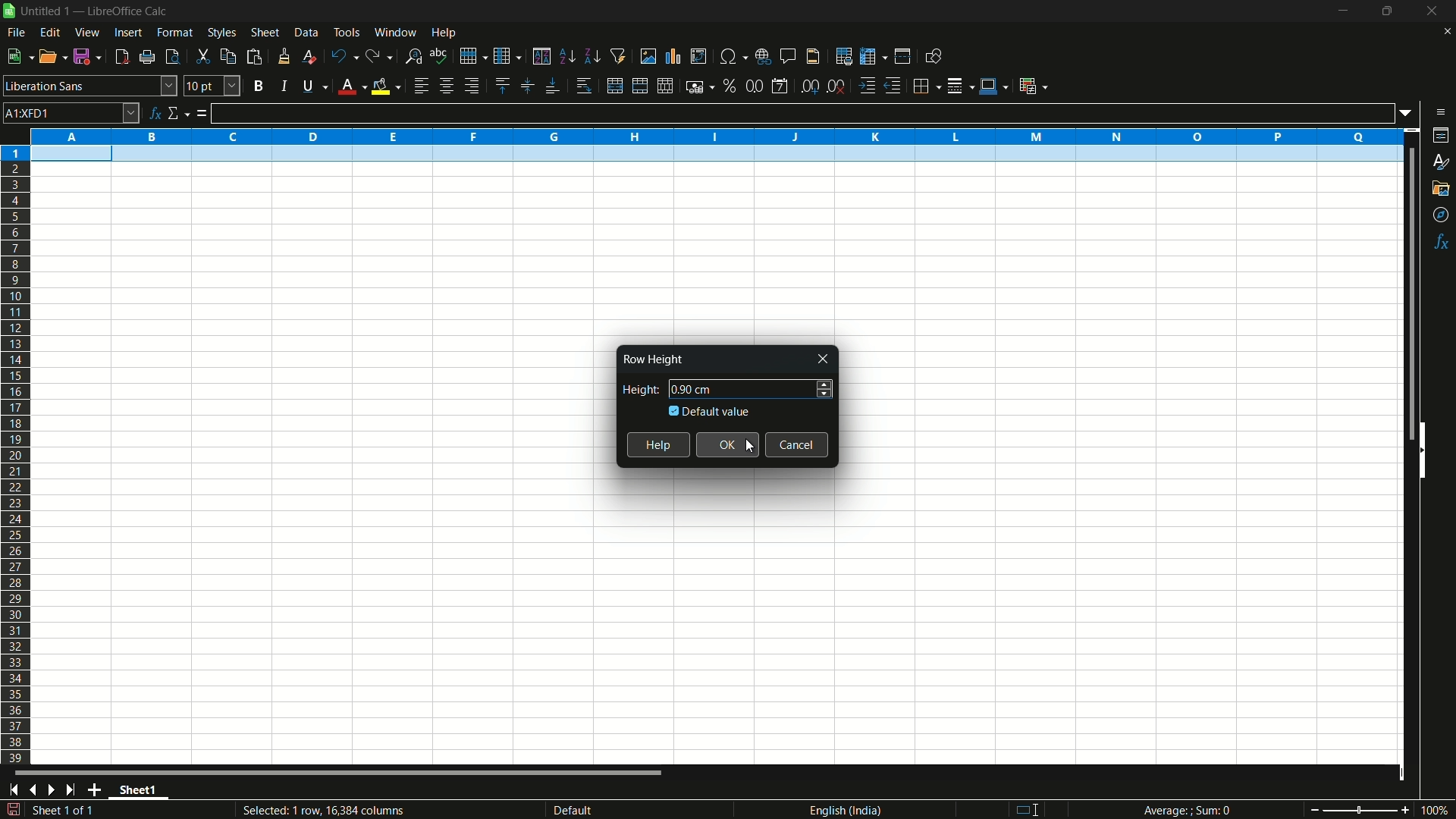  Describe the element at coordinates (1429, 449) in the screenshot. I see `hide sidebar` at that location.